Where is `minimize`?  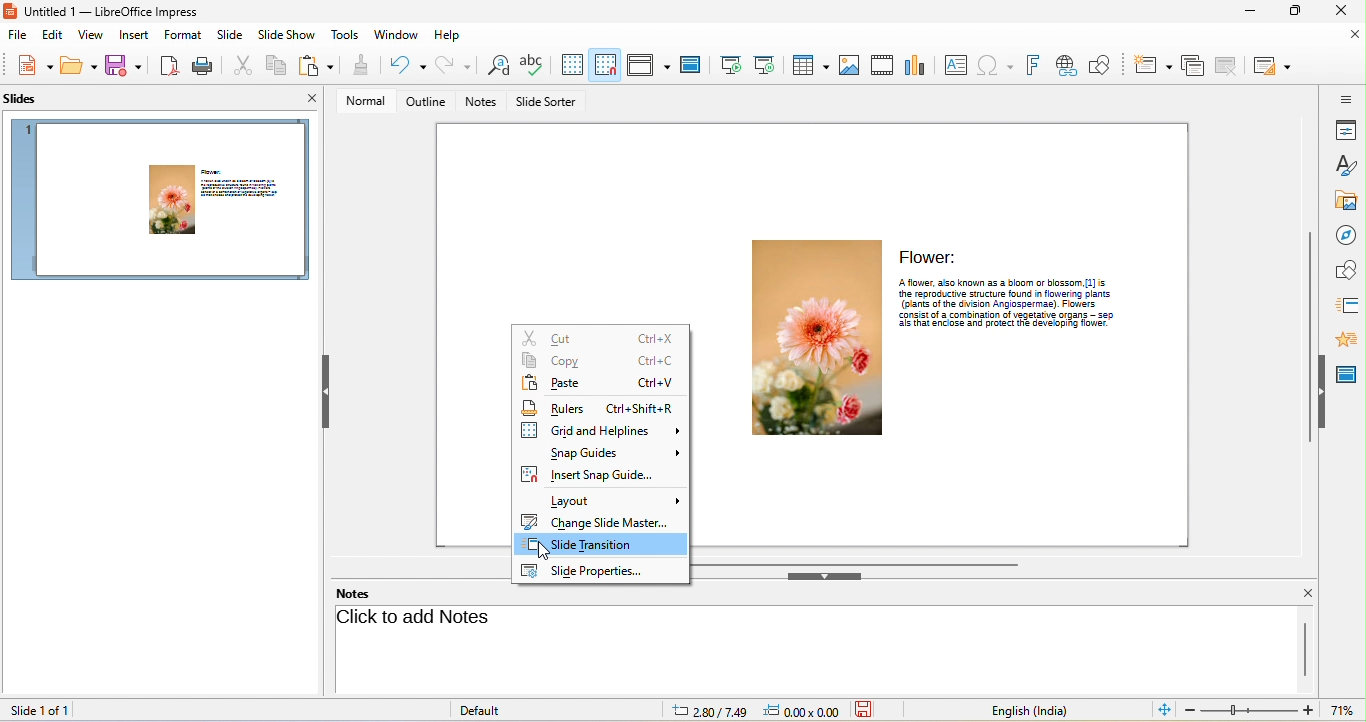
minimize is located at coordinates (1247, 12).